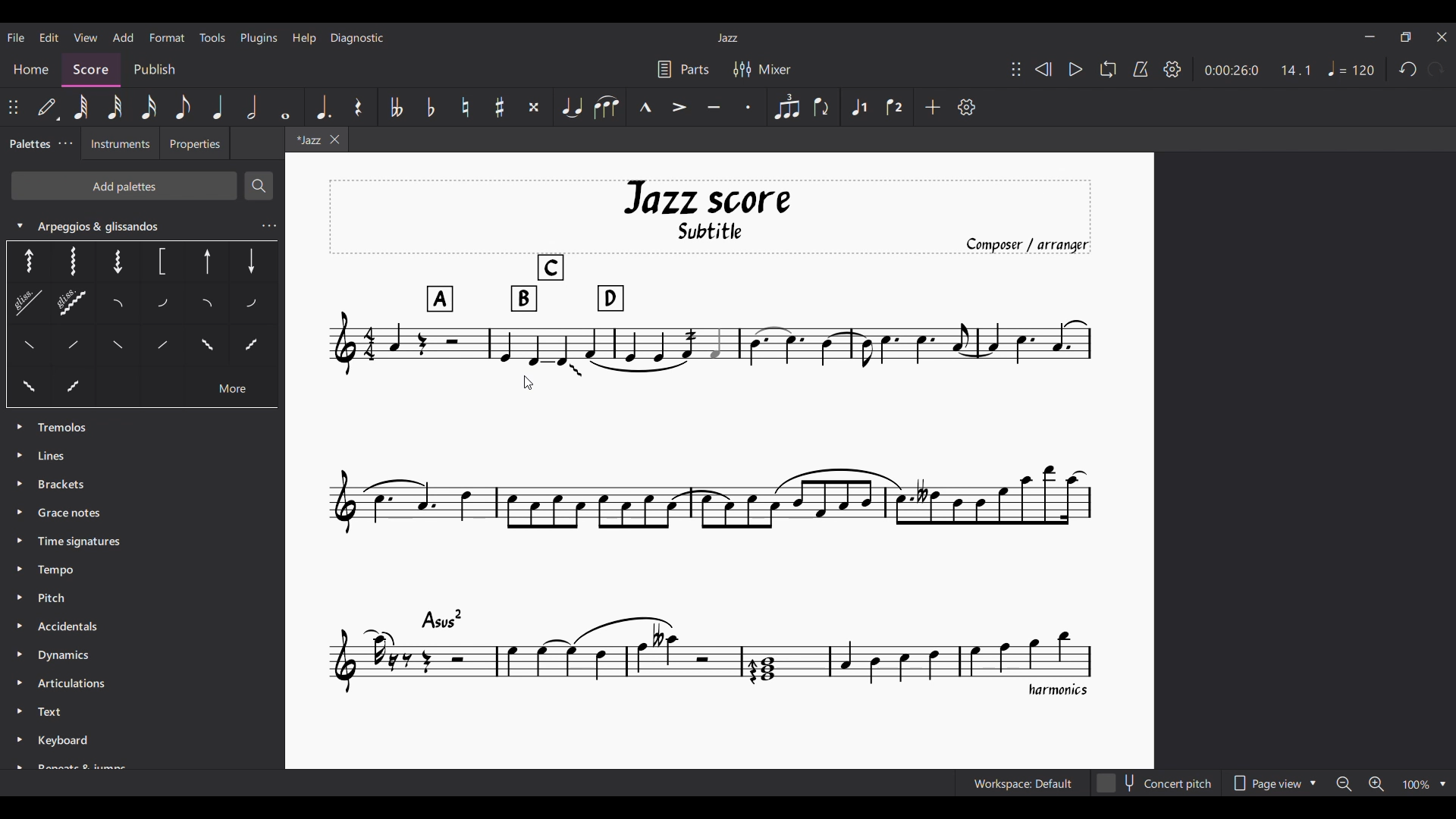 Image resolution: width=1456 pixels, height=819 pixels. Describe the element at coordinates (431, 107) in the screenshot. I see `Toggle flat` at that location.